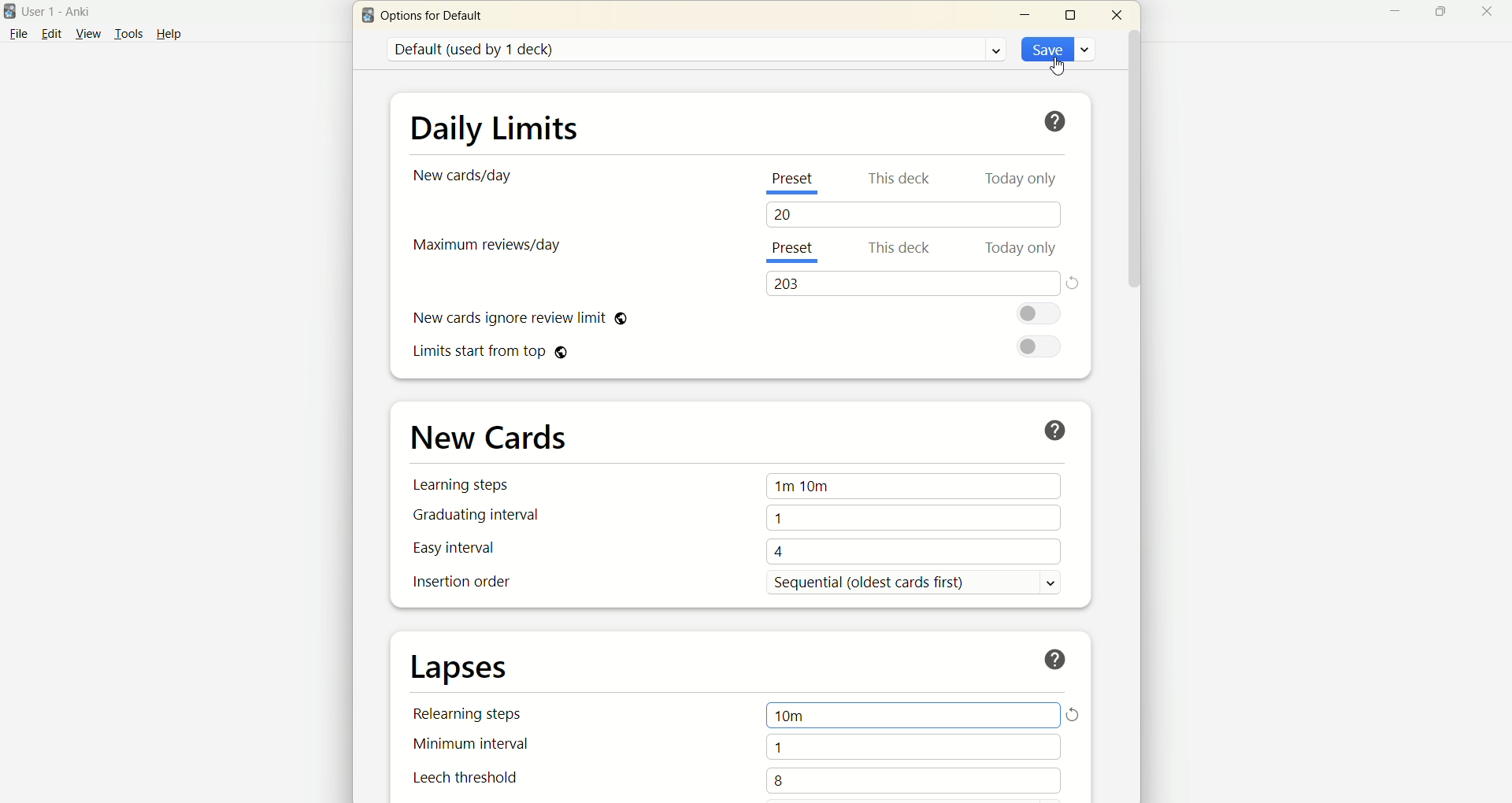 Image resolution: width=1512 pixels, height=803 pixels. What do you see at coordinates (1028, 15) in the screenshot?
I see `minimize` at bounding box center [1028, 15].